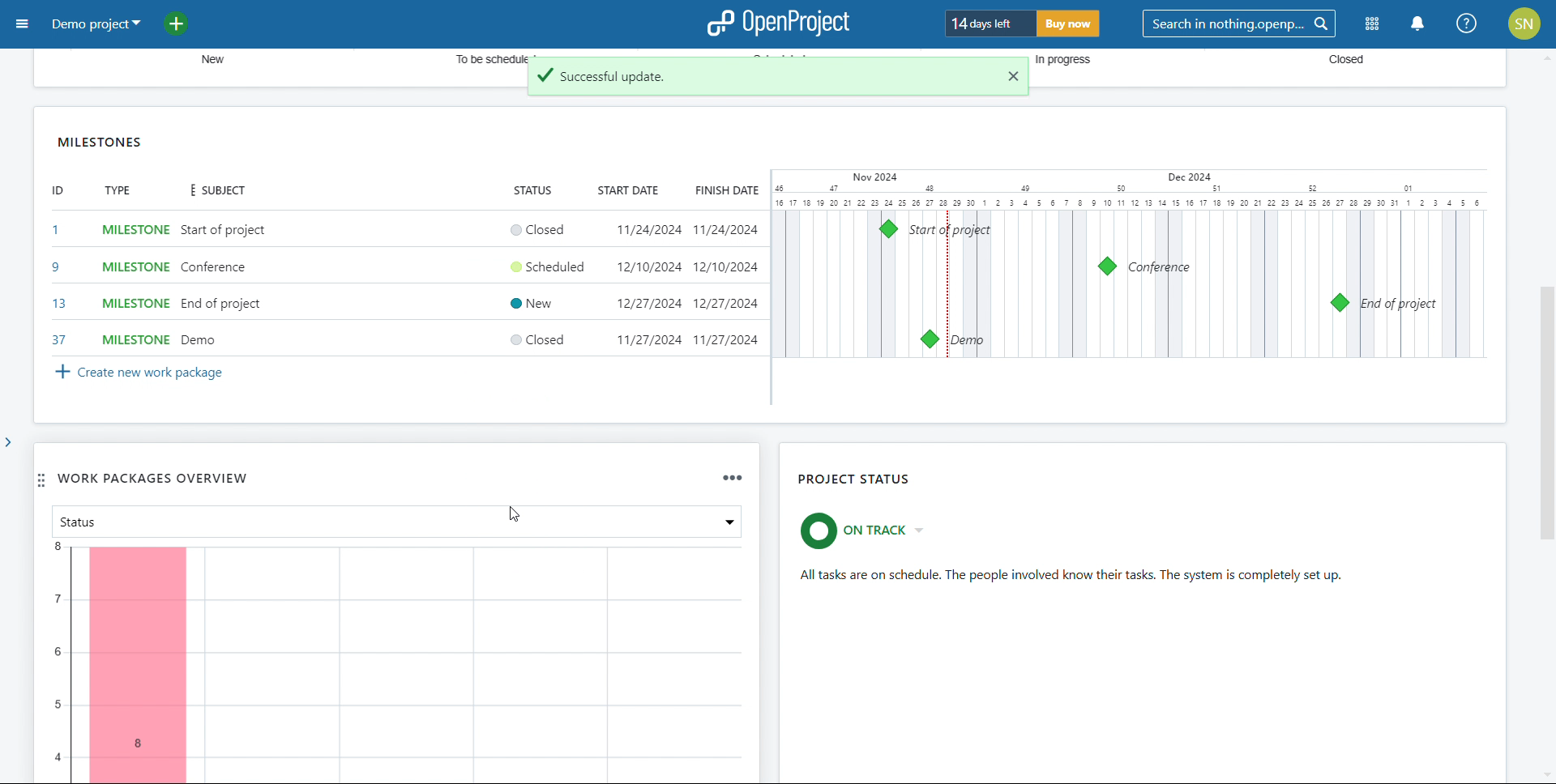  Describe the element at coordinates (717, 523) in the screenshot. I see `show menu` at that location.